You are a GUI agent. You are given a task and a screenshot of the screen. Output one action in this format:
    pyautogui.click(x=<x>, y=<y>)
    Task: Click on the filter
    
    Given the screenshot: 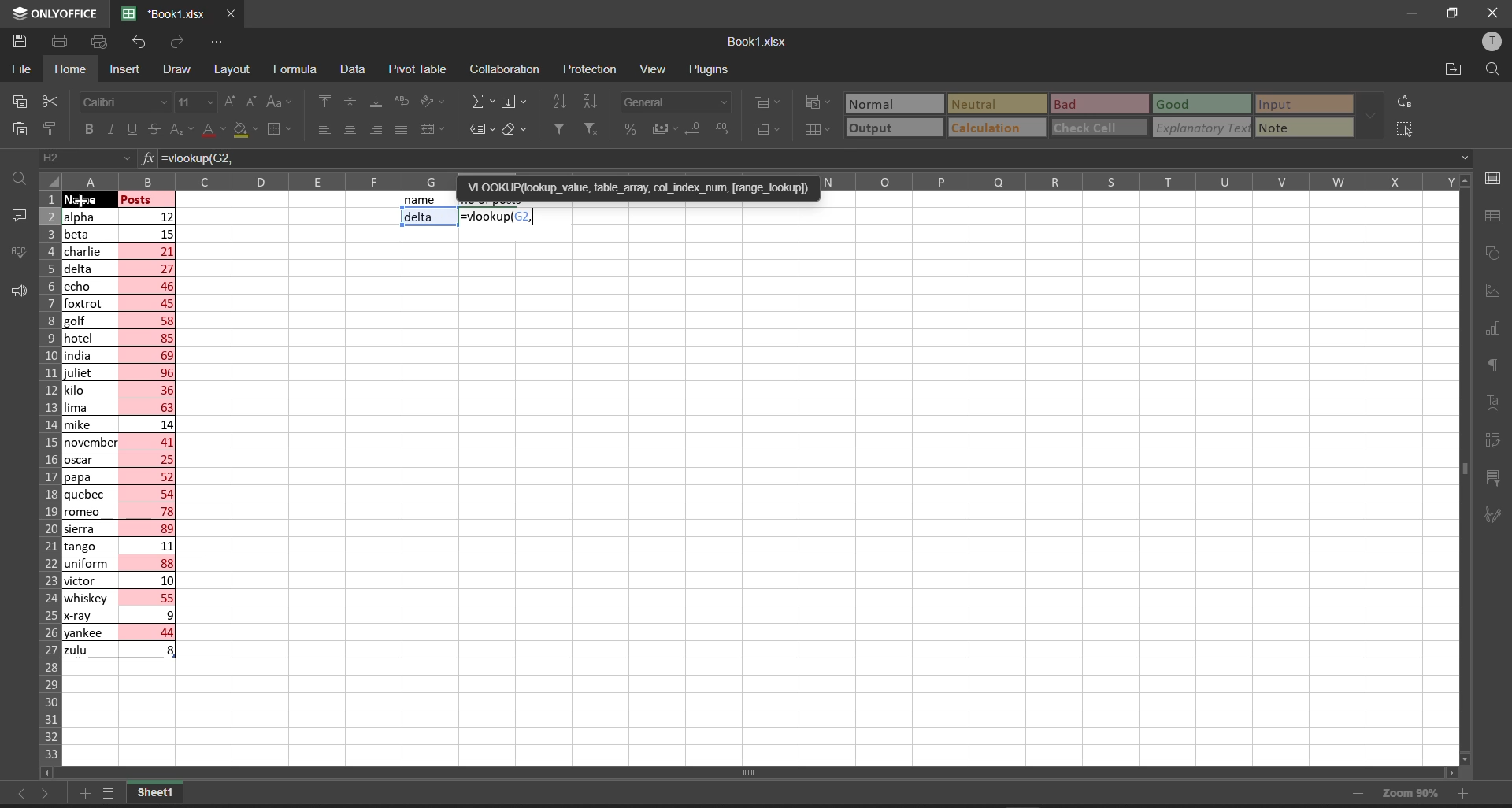 What is the action you would take?
    pyautogui.click(x=558, y=128)
    